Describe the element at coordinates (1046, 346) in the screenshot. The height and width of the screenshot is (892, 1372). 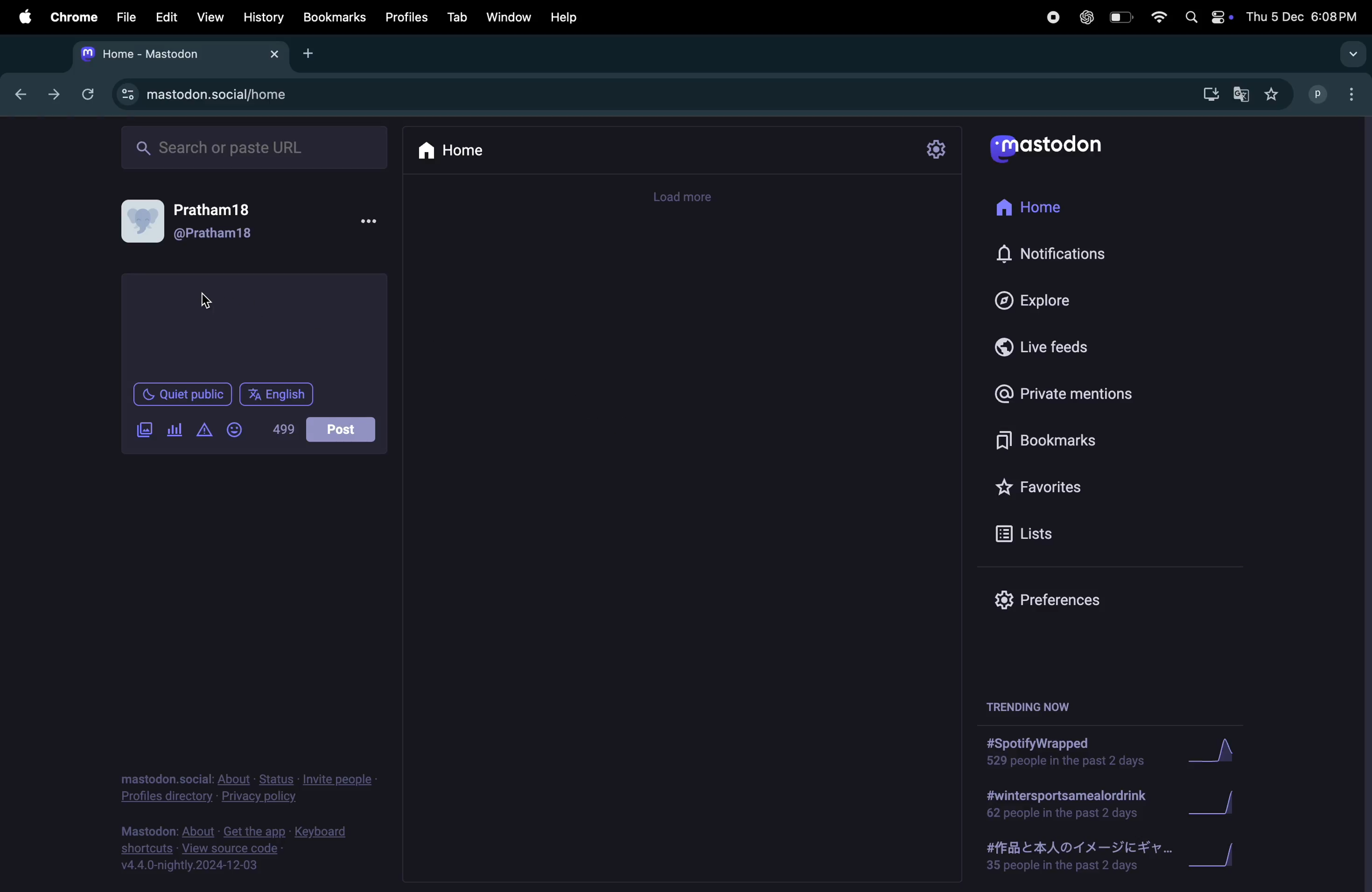
I see `Live feeds` at that location.